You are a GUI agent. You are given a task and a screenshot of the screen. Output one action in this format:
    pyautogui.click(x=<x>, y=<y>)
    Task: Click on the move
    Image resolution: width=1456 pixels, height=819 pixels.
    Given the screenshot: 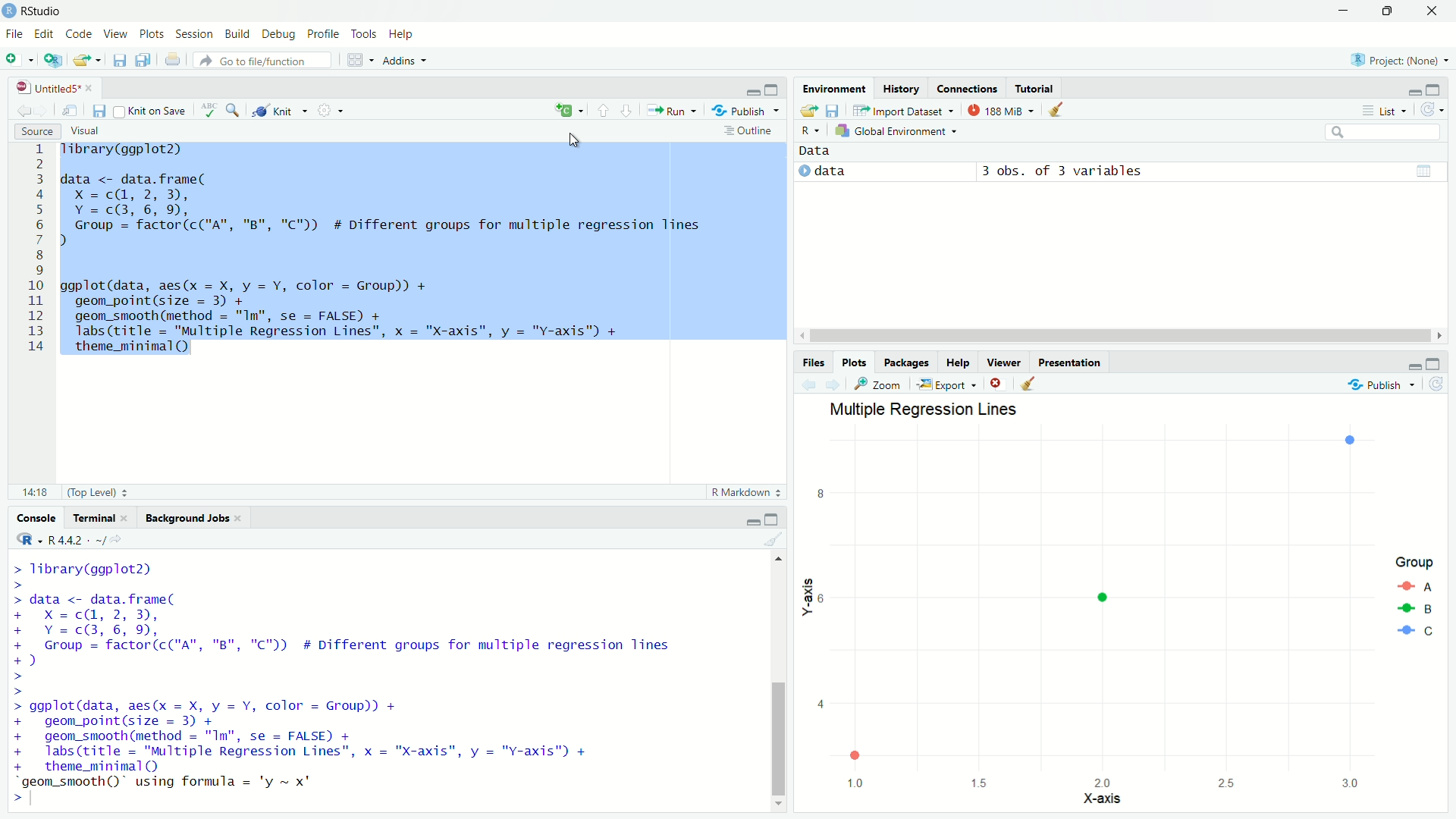 What is the action you would take?
    pyautogui.click(x=72, y=111)
    